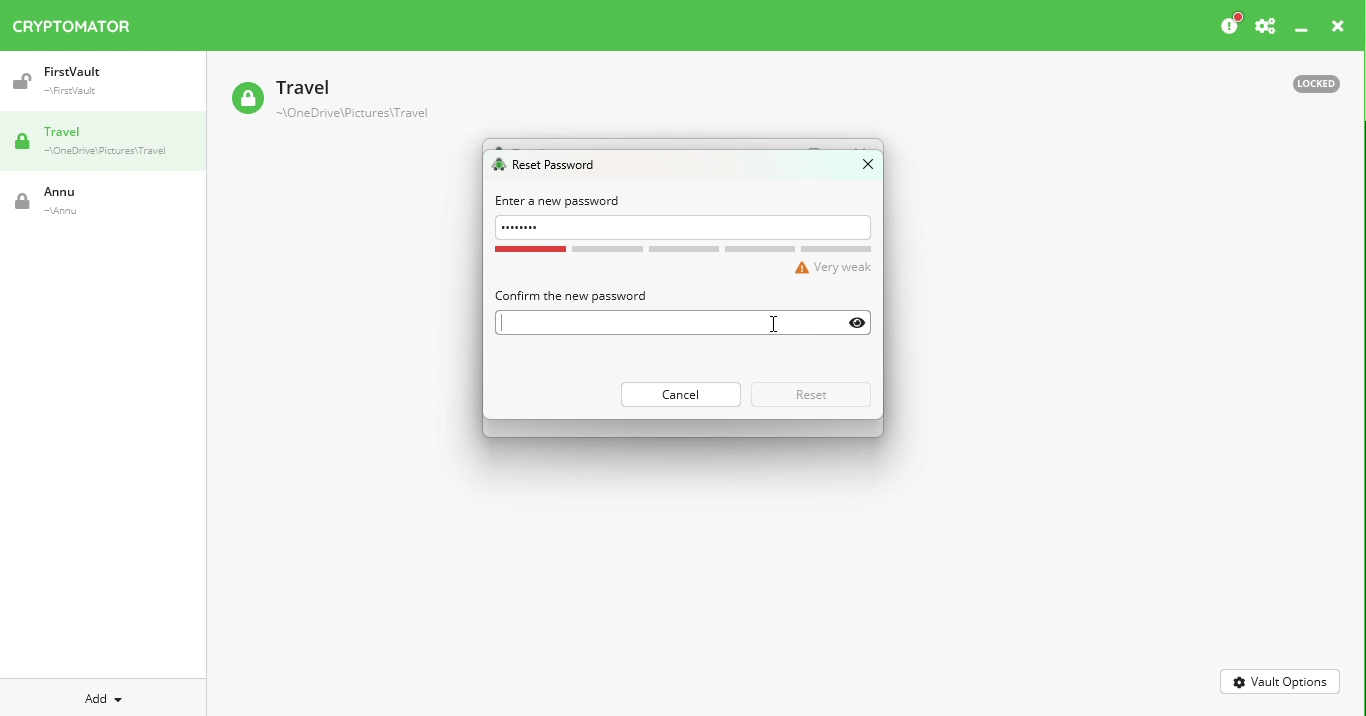  Describe the element at coordinates (570, 295) in the screenshot. I see `Confirm the new password` at that location.